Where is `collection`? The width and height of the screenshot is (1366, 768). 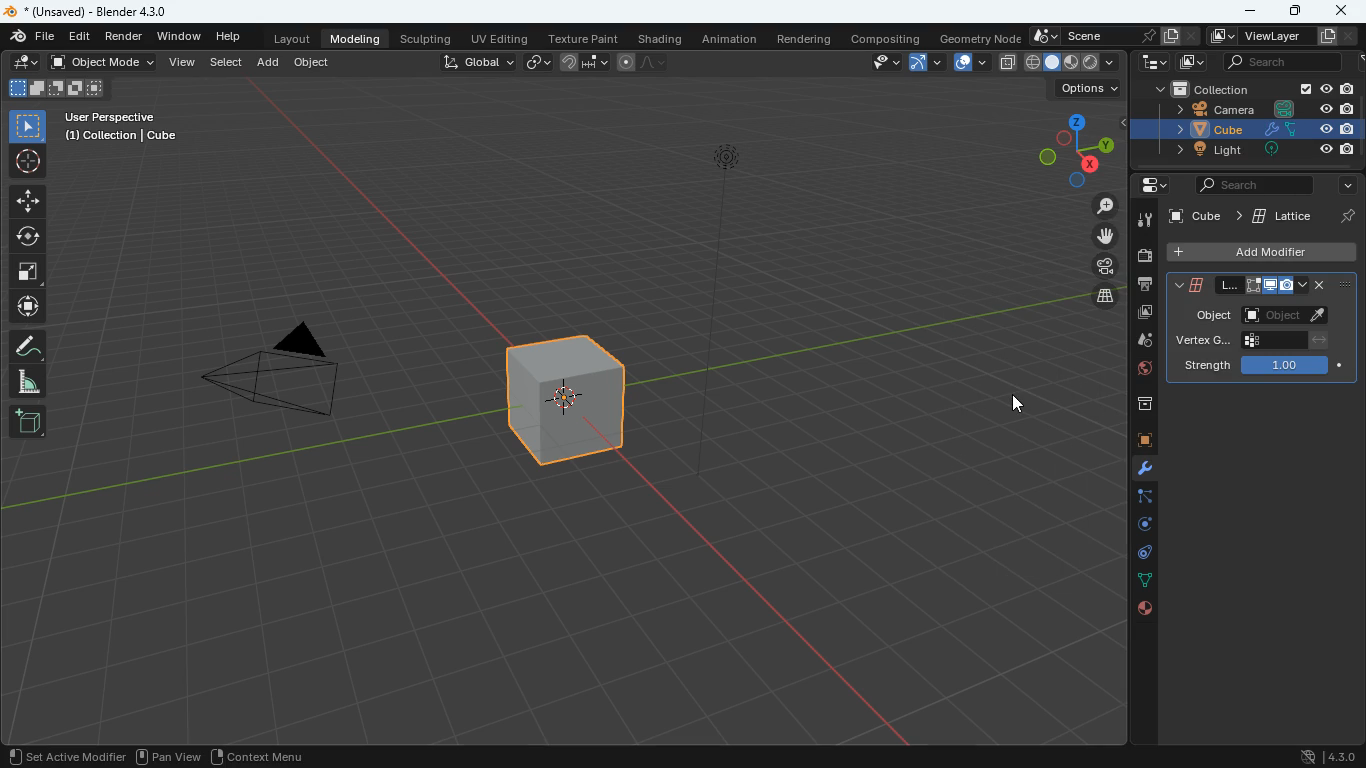
collection is located at coordinates (1252, 89).